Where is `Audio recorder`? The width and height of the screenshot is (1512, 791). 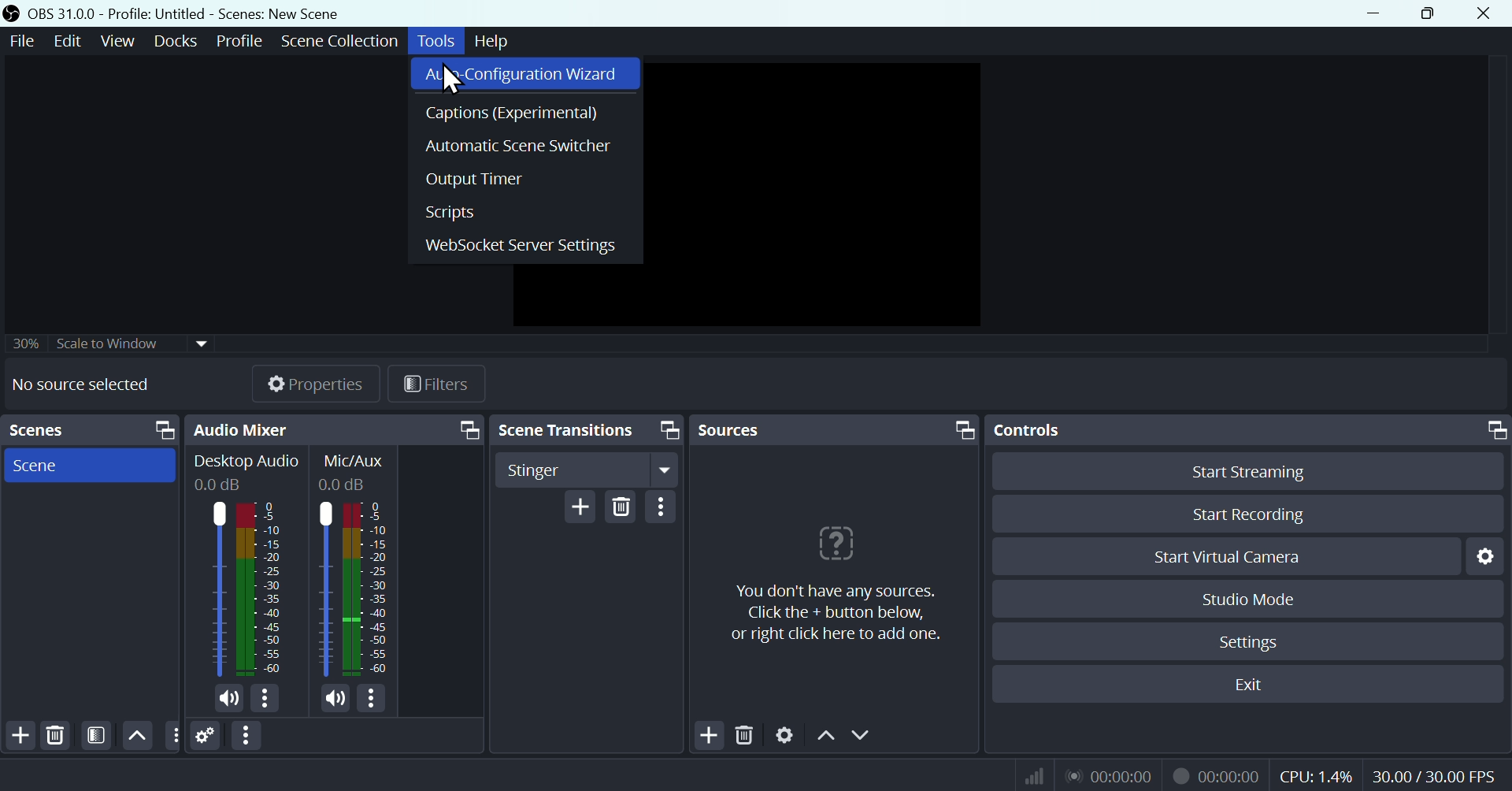
Audio recorder is located at coordinates (1108, 775).